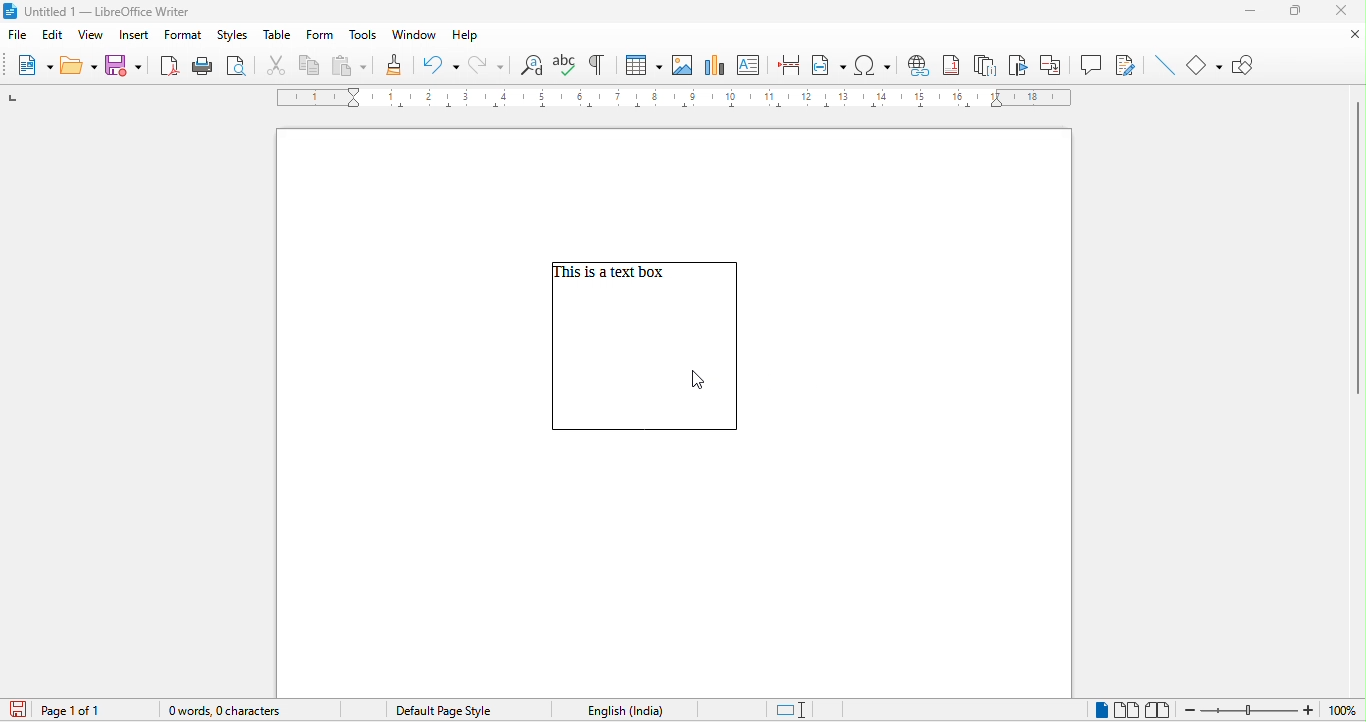  What do you see at coordinates (490, 67) in the screenshot?
I see `redo` at bounding box center [490, 67].